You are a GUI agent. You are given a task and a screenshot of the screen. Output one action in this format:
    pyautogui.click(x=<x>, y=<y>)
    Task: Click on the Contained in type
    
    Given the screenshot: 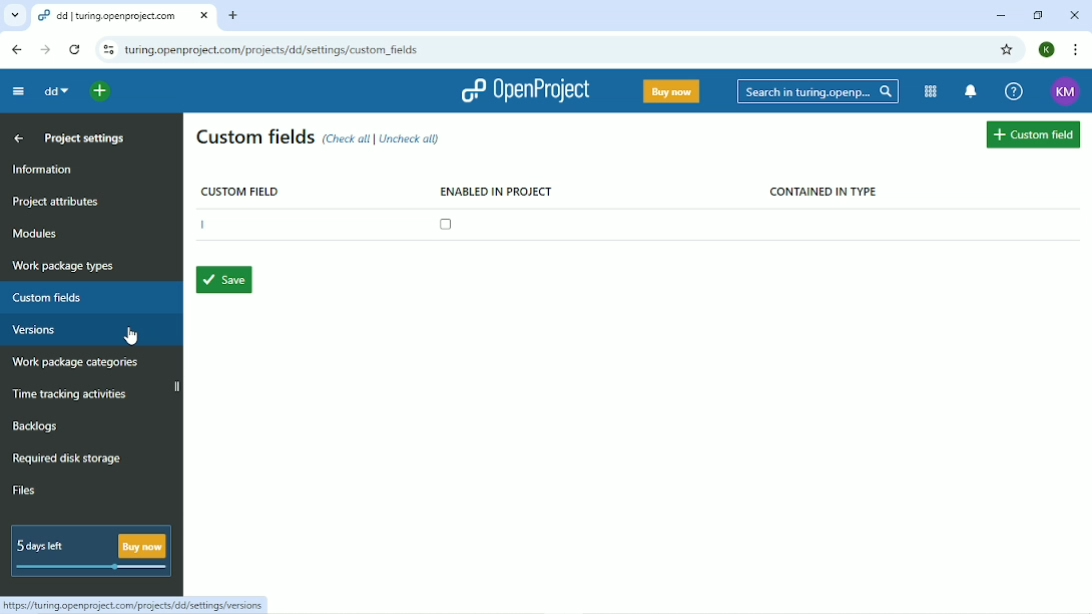 What is the action you would take?
    pyautogui.click(x=826, y=192)
    